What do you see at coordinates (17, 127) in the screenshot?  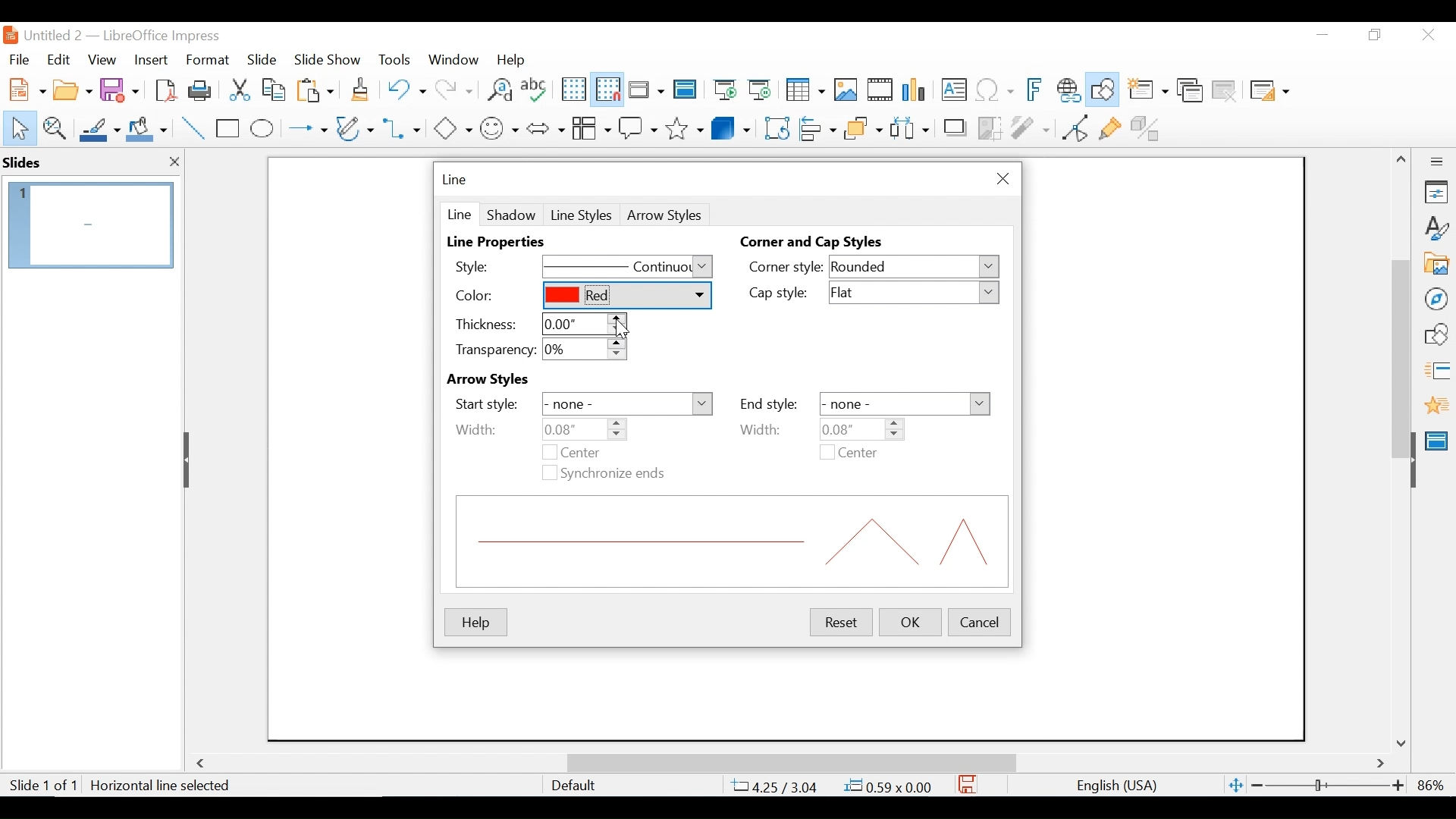 I see `Select` at bounding box center [17, 127].